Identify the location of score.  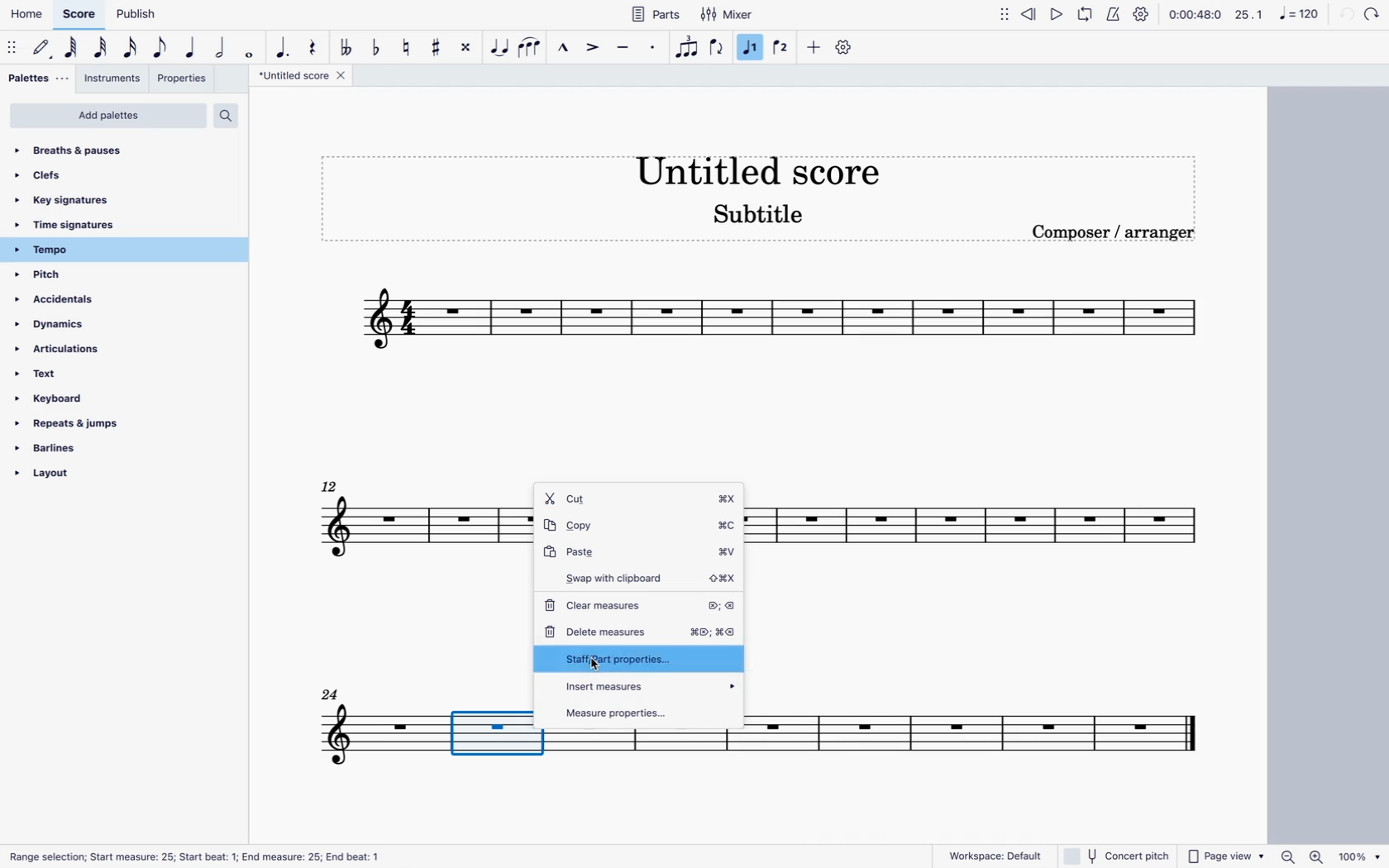
(965, 727).